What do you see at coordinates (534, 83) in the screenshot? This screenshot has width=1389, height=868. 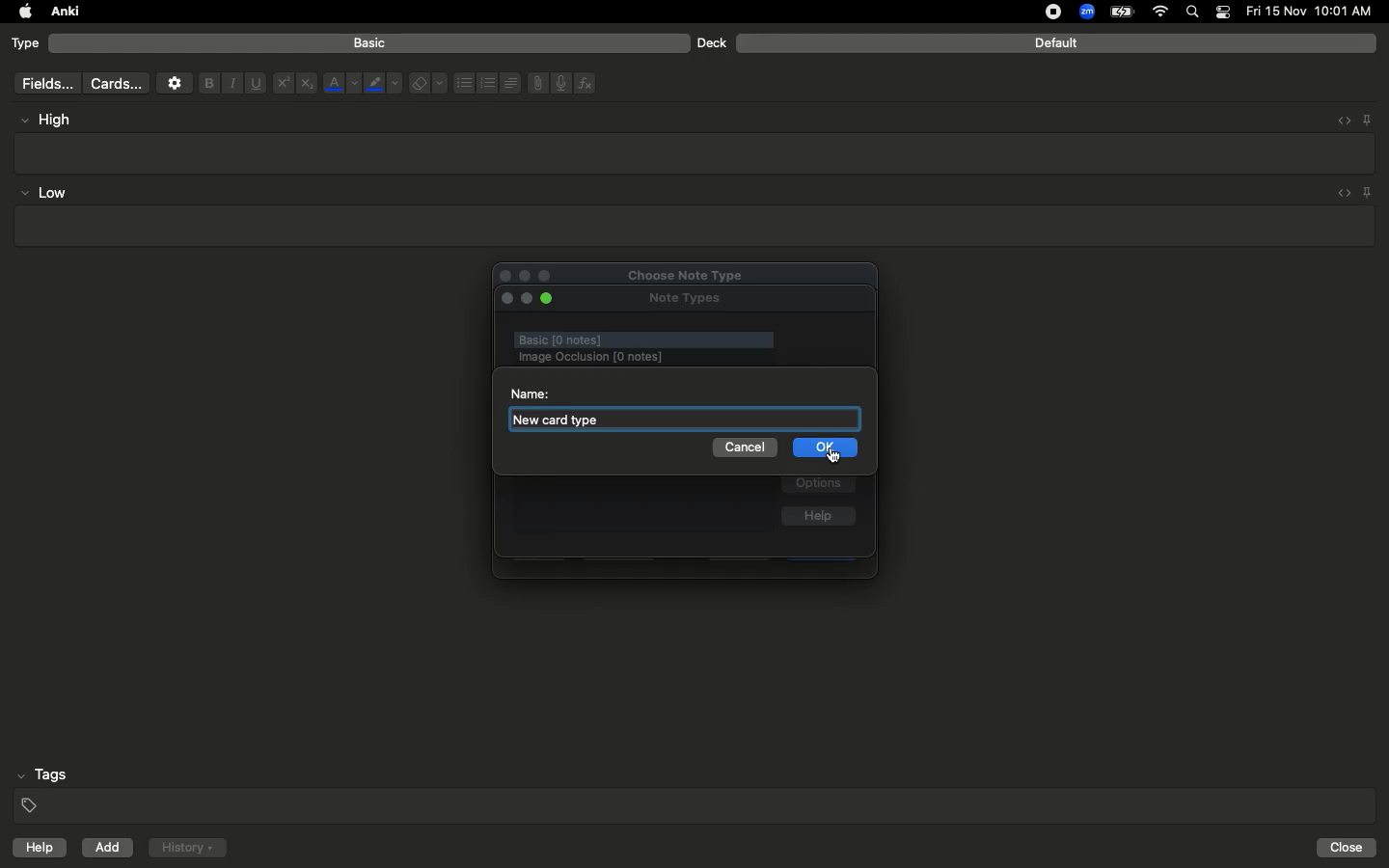 I see `File` at bounding box center [534, 83].